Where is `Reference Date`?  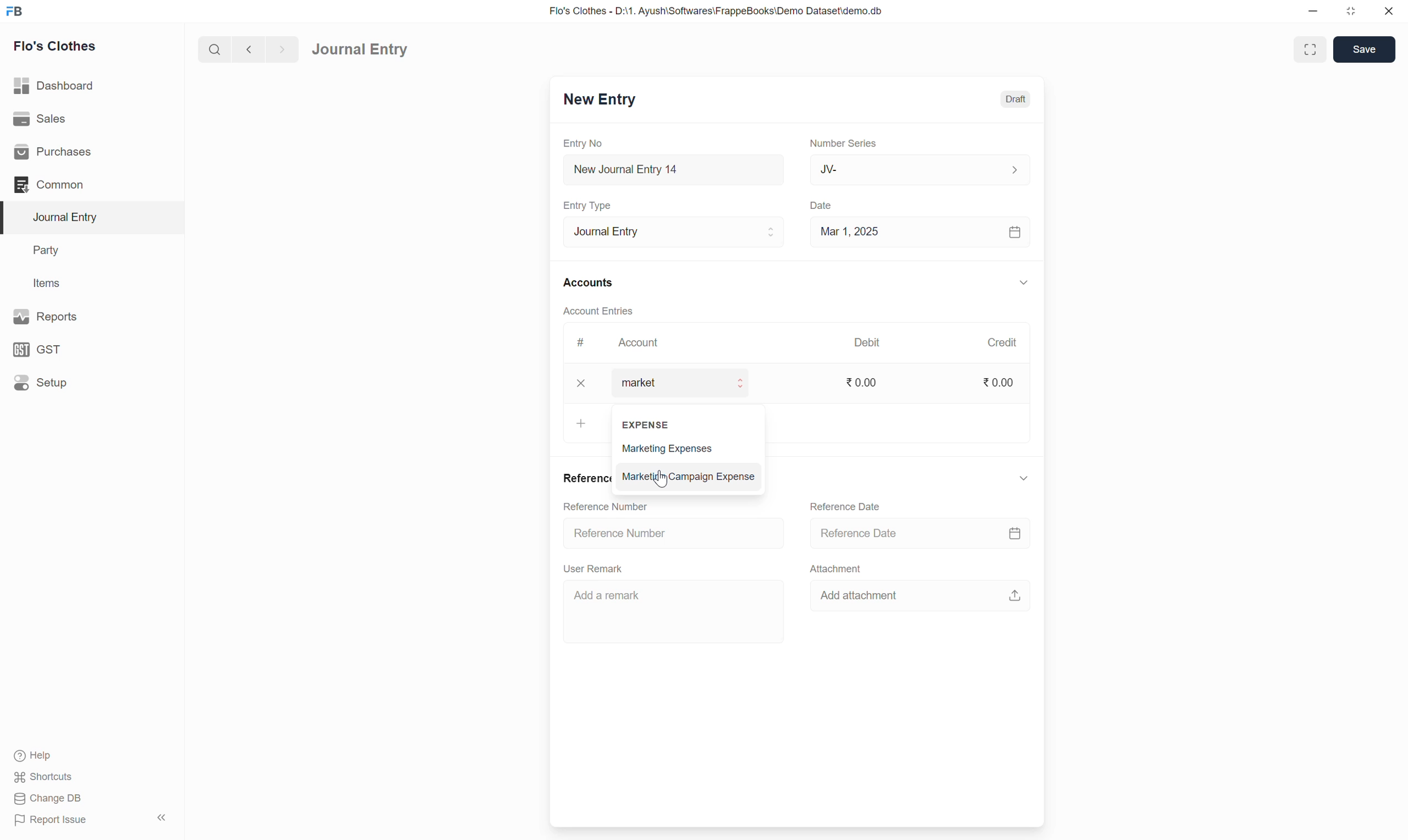
Reference Date is located at coordinates (862, 532).